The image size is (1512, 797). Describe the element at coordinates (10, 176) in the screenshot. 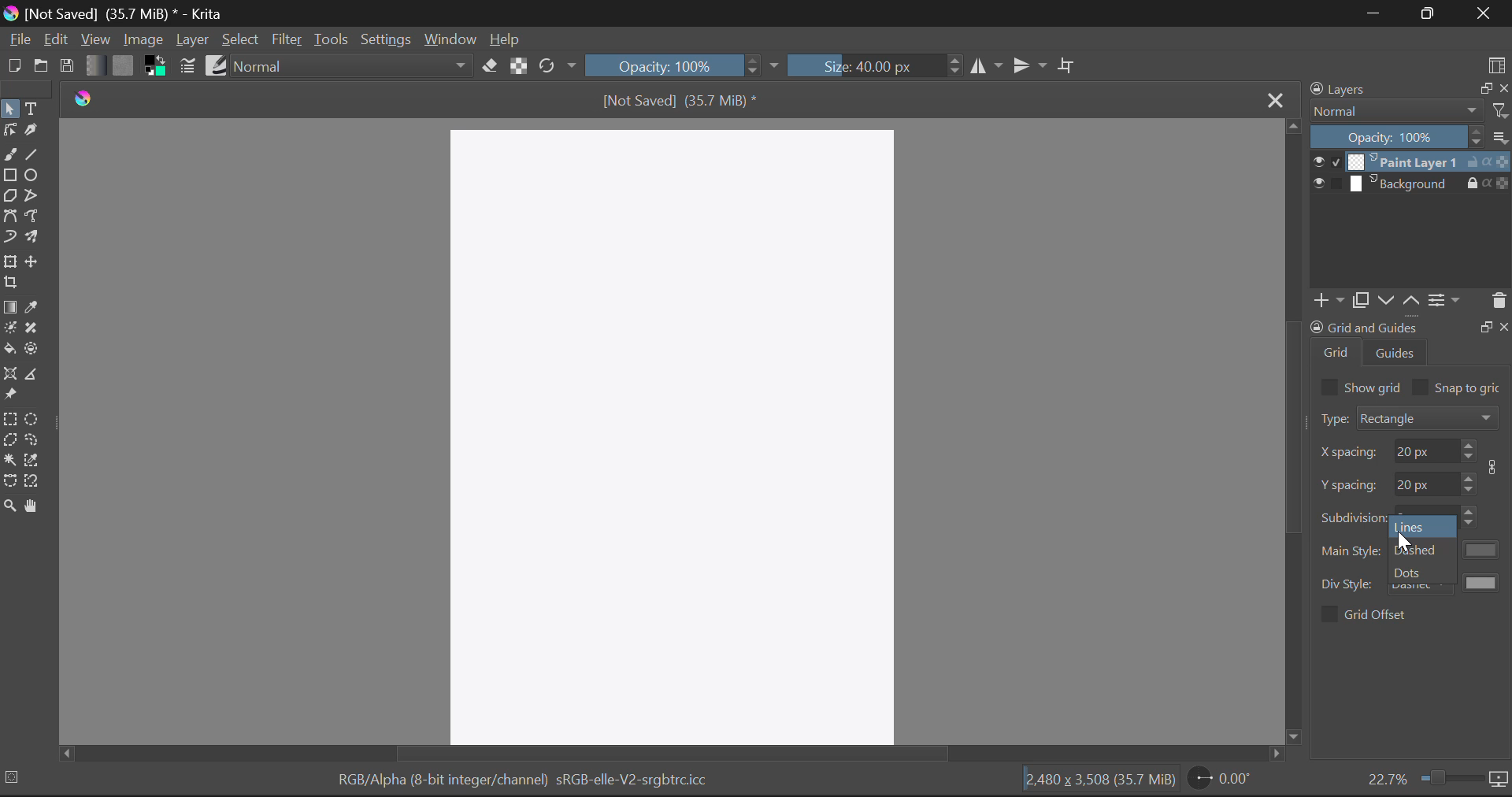

I see `Rectangle` at that location.